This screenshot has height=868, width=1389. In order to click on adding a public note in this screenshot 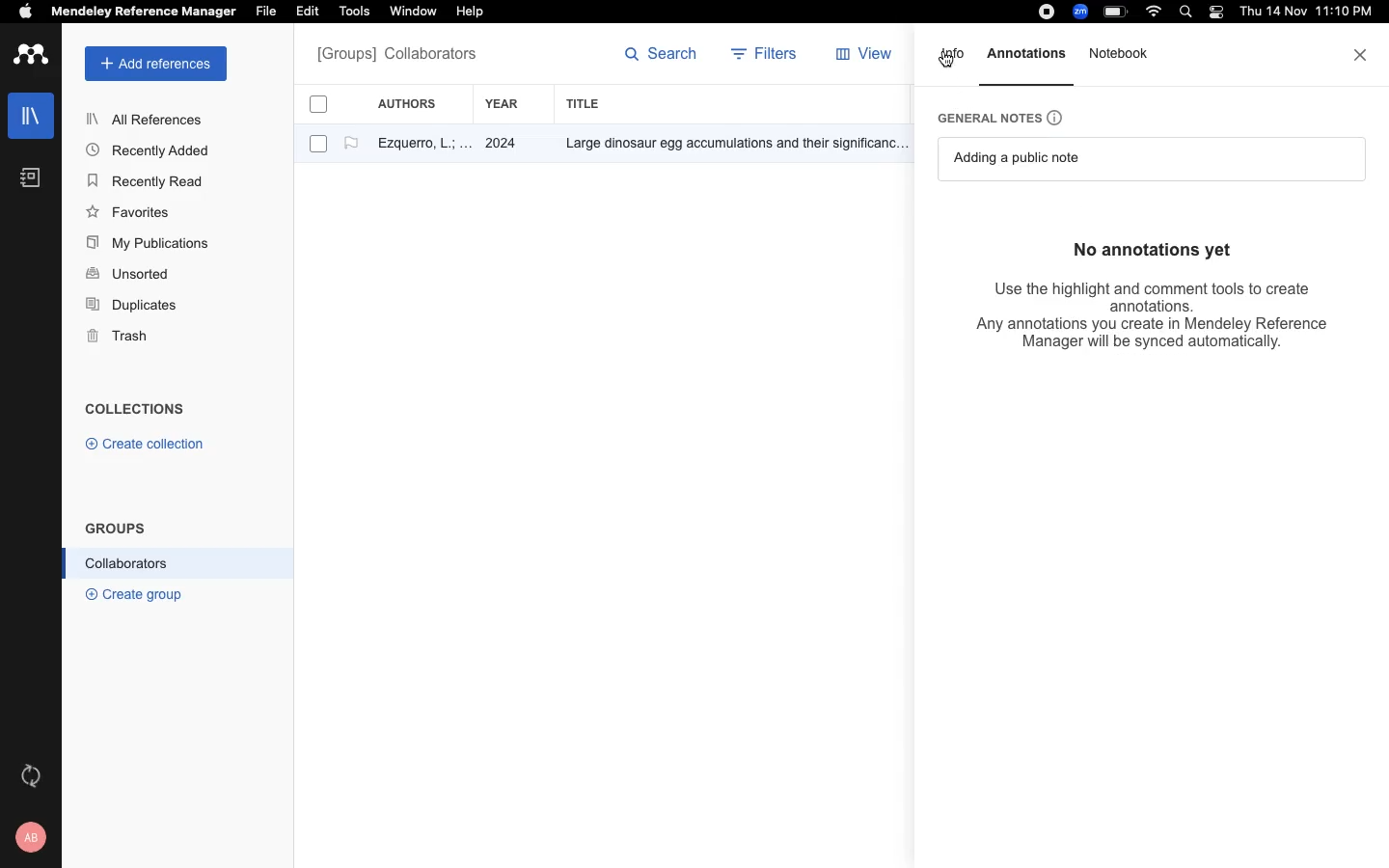, I will do `click(1024, 158)`.